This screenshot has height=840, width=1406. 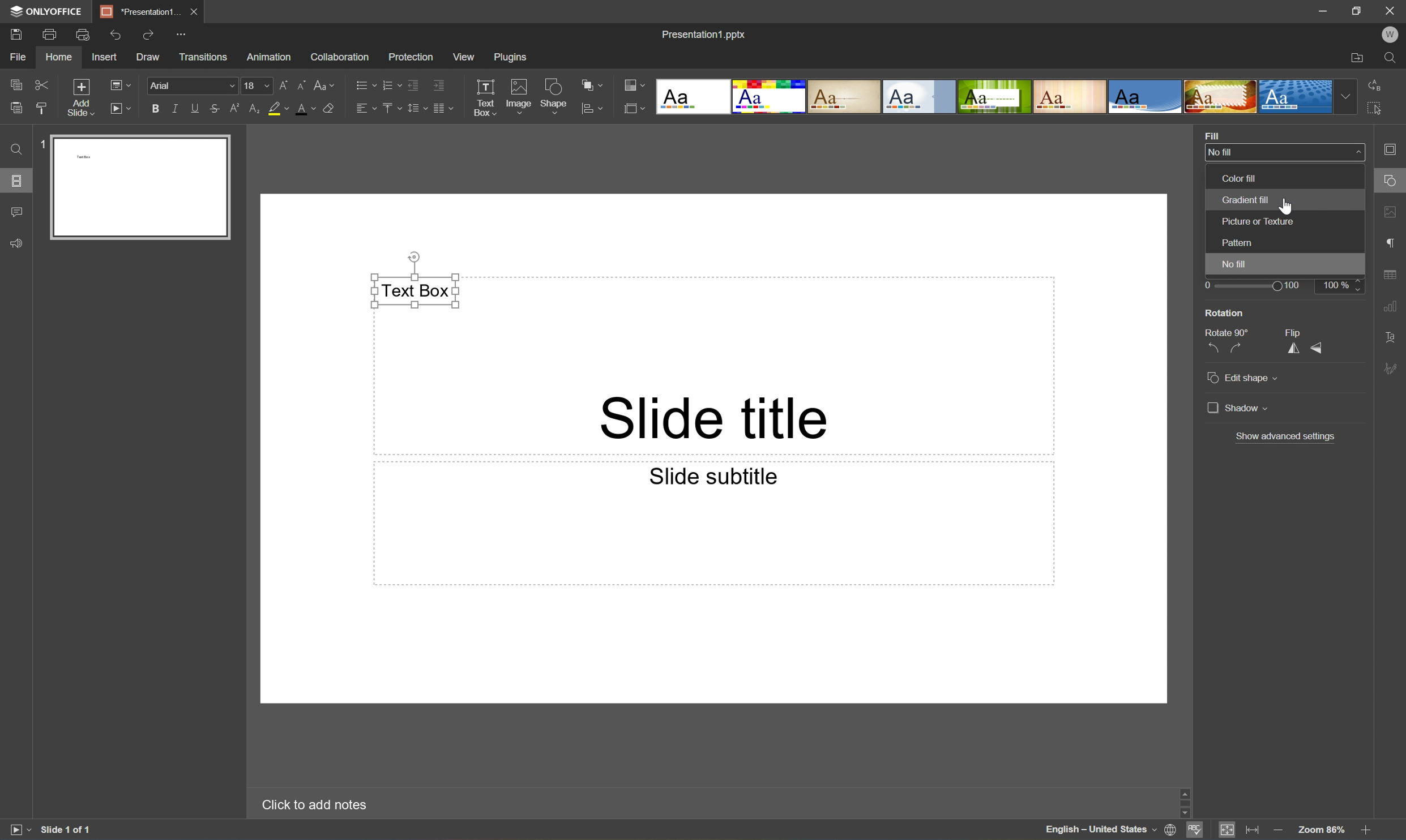 What do you see at coordinates (15, 182) in the screenshot?
I see `Slides` at bounding box center [15, 182].